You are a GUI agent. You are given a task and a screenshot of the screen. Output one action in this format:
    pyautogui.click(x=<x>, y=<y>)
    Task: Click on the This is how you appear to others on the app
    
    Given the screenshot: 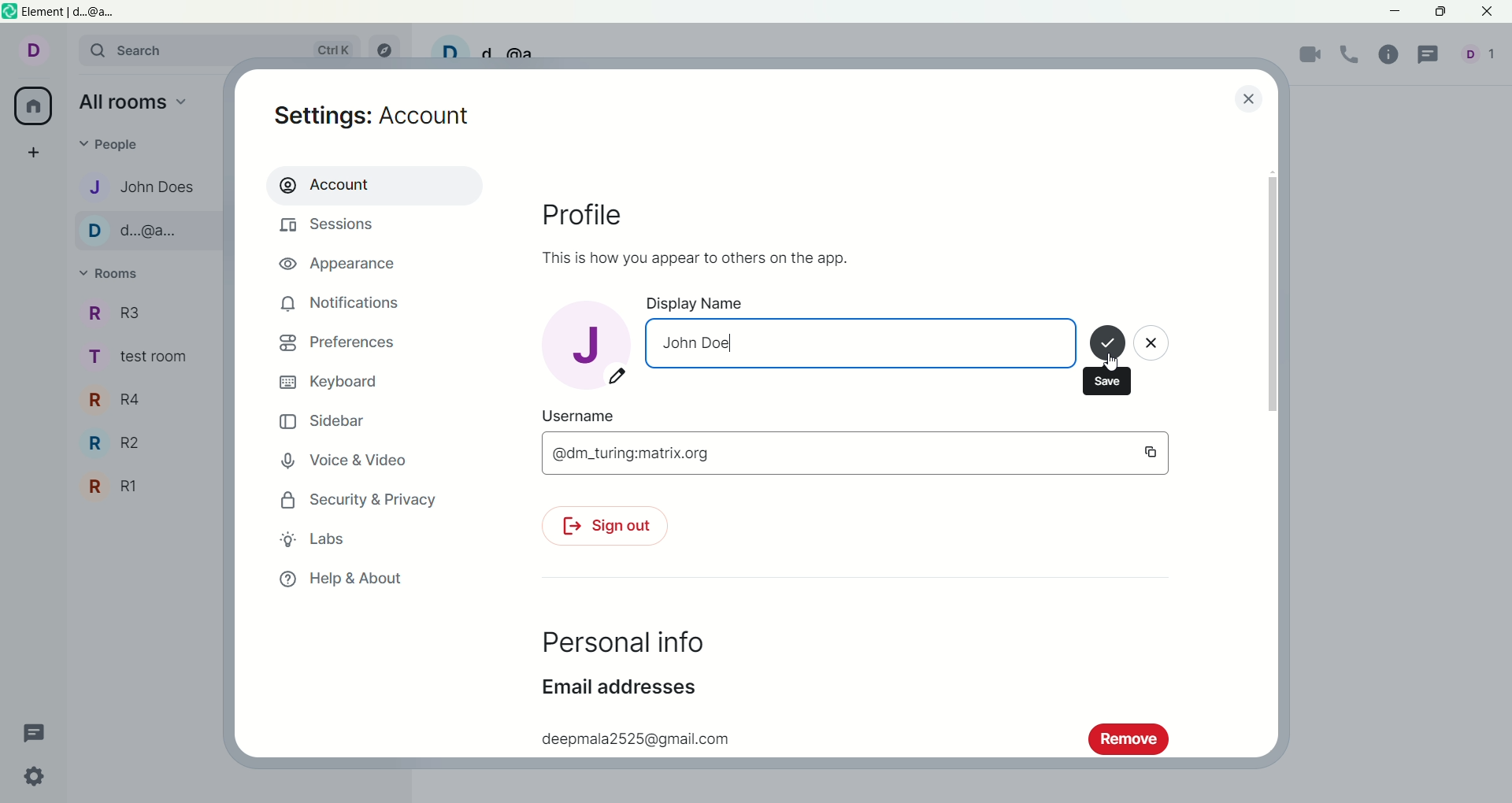 What is the action you would take?
    pyautogui.click(x=691, y=257)
    